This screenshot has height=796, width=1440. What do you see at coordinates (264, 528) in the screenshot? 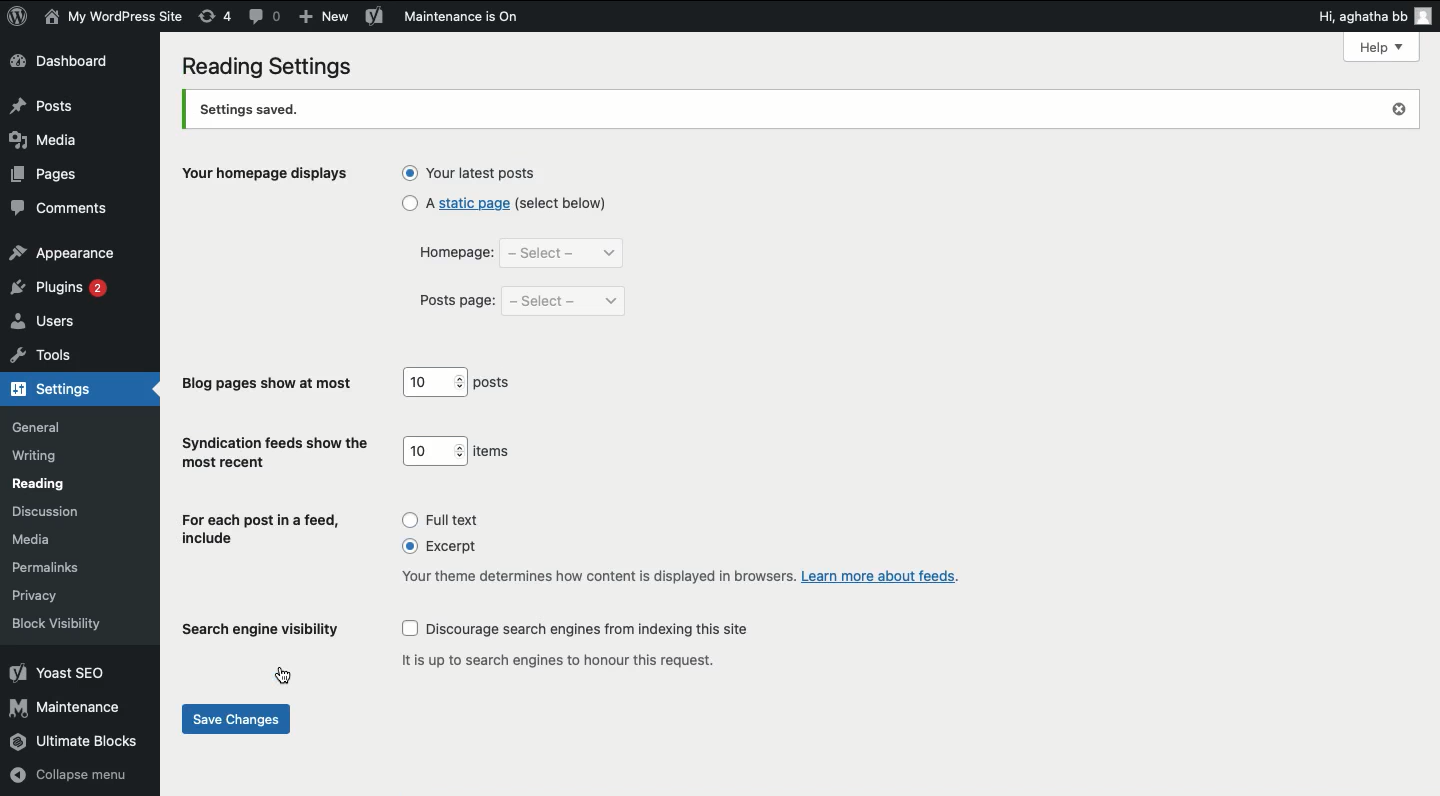
I see `for each post in a feed, include` at bounding box center [264, 528].